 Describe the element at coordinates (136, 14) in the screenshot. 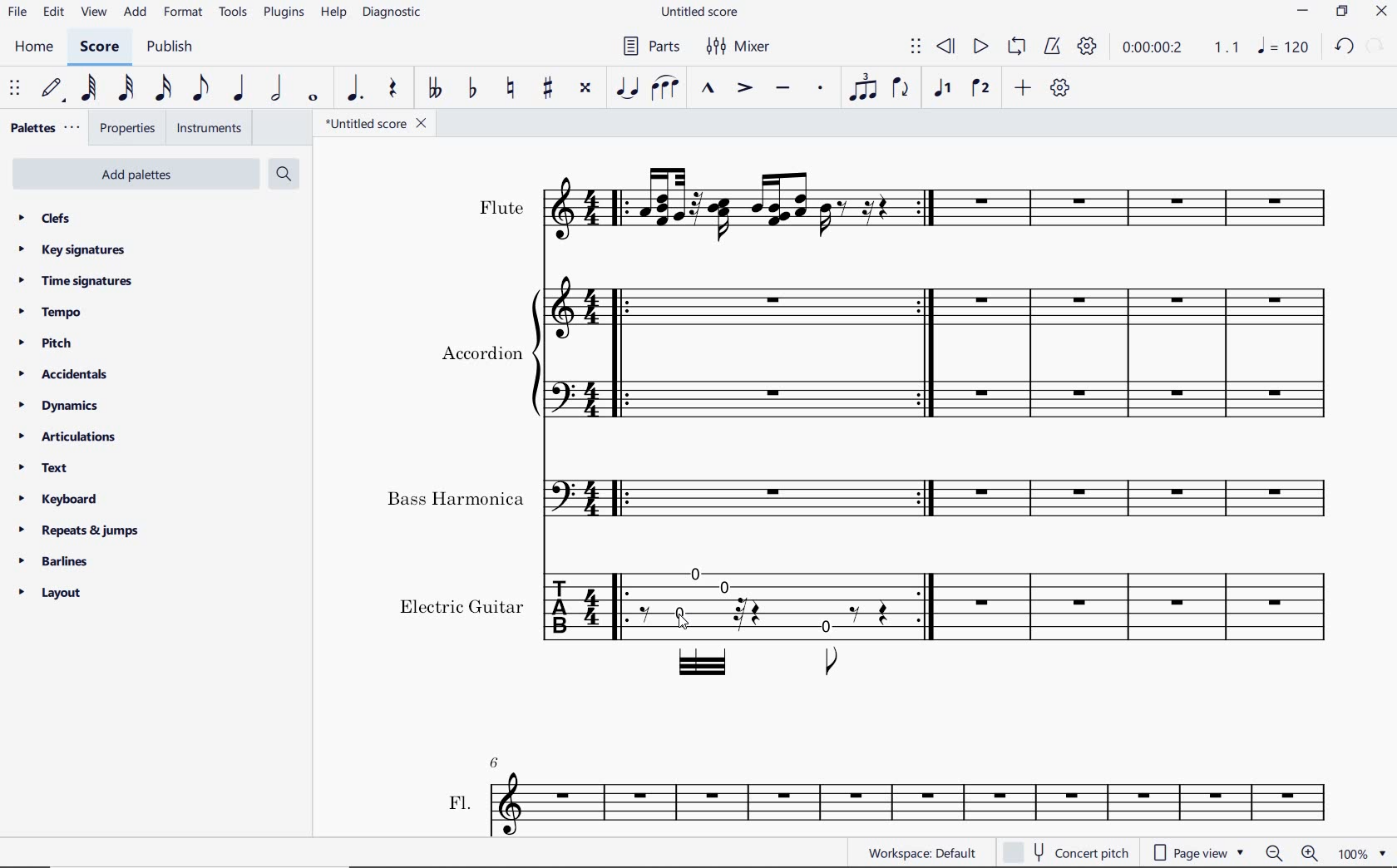

I see `add` at that location.